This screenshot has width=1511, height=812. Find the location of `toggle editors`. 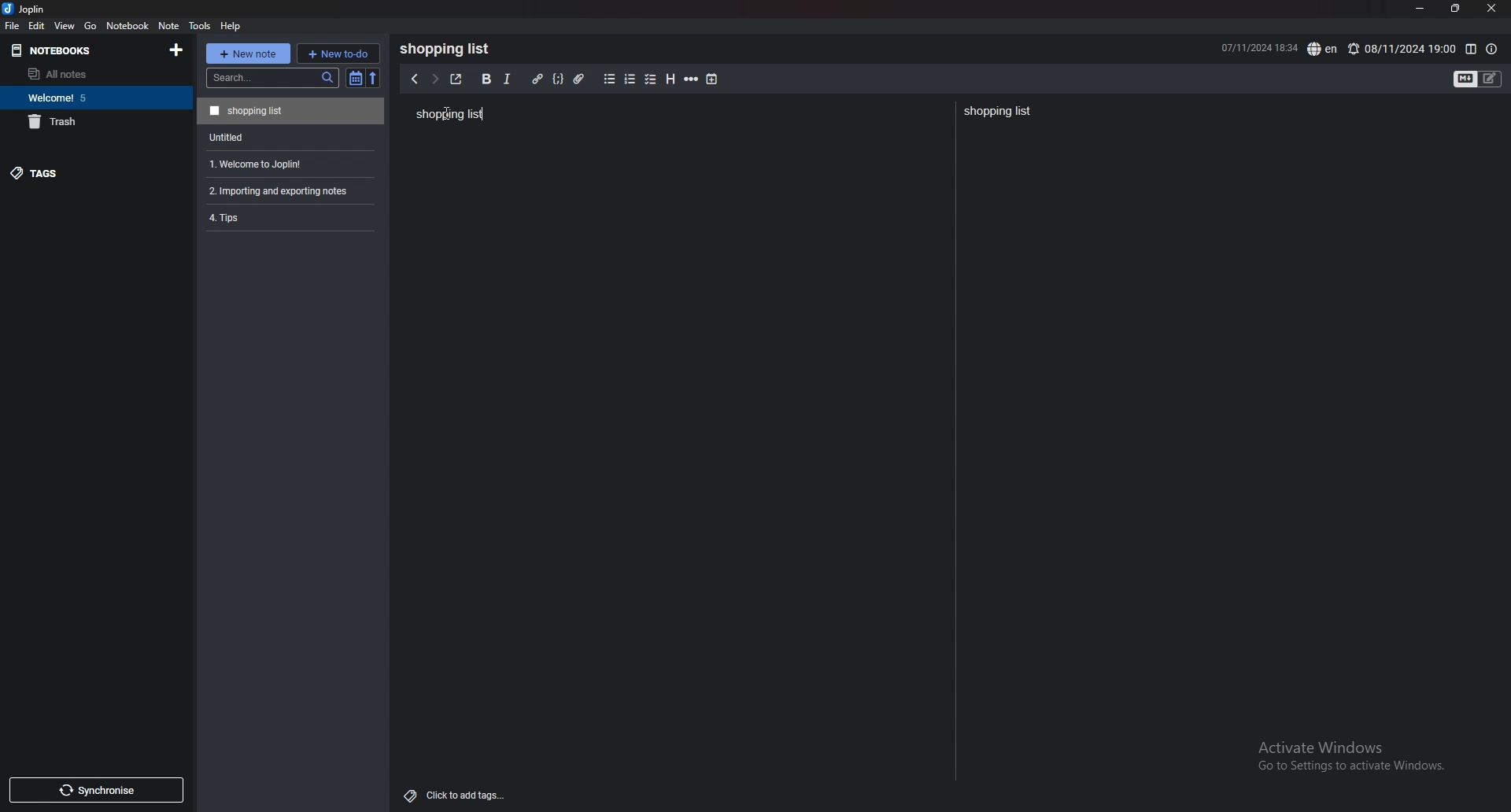

toggle editors is located at coordinates (1478, 79).